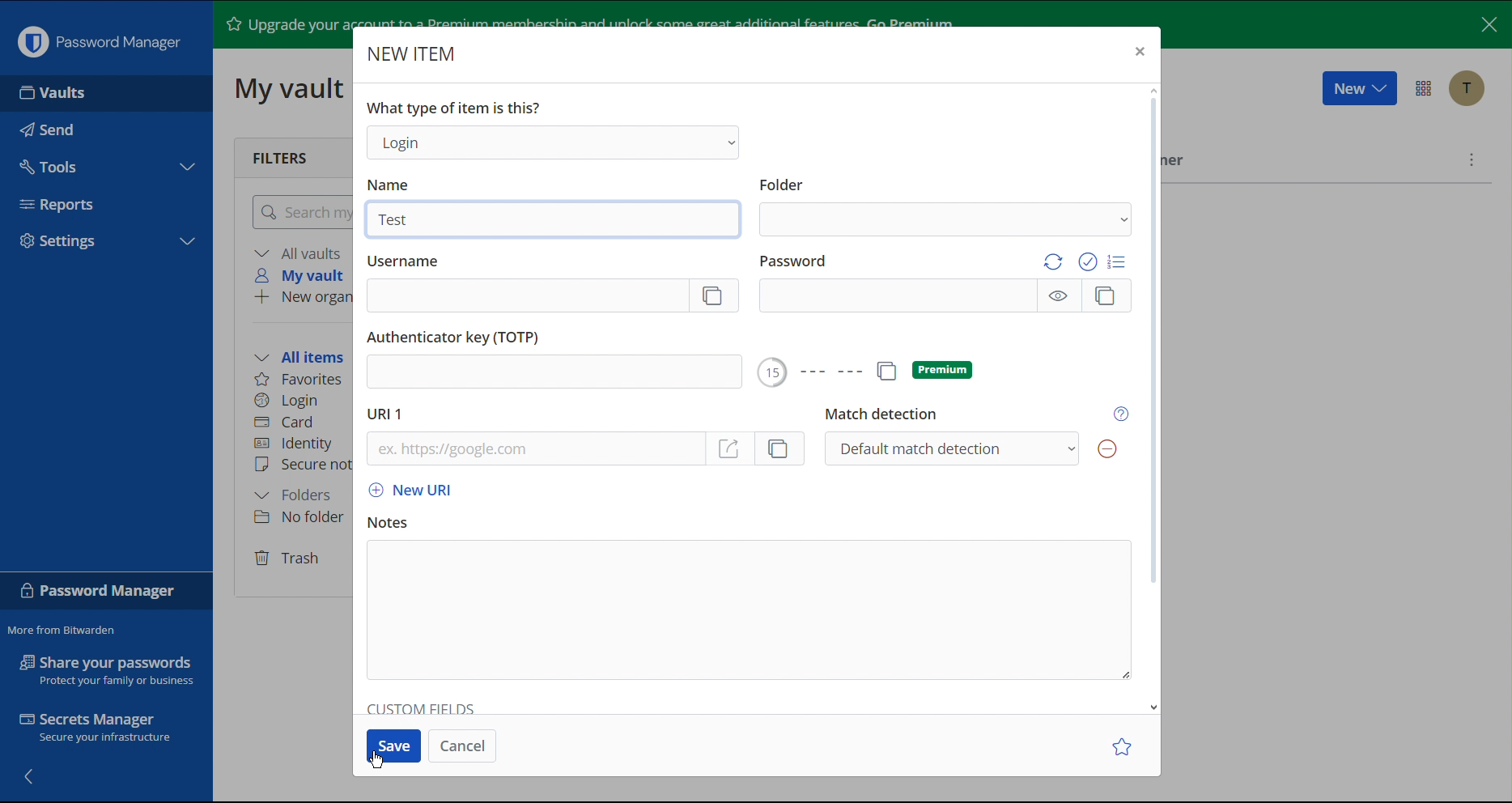 The width and height of the screenshot is (1512, 803). Describe the element at coordinates (423, 707) in the screenshot. I see `Custom Fields` at that location.